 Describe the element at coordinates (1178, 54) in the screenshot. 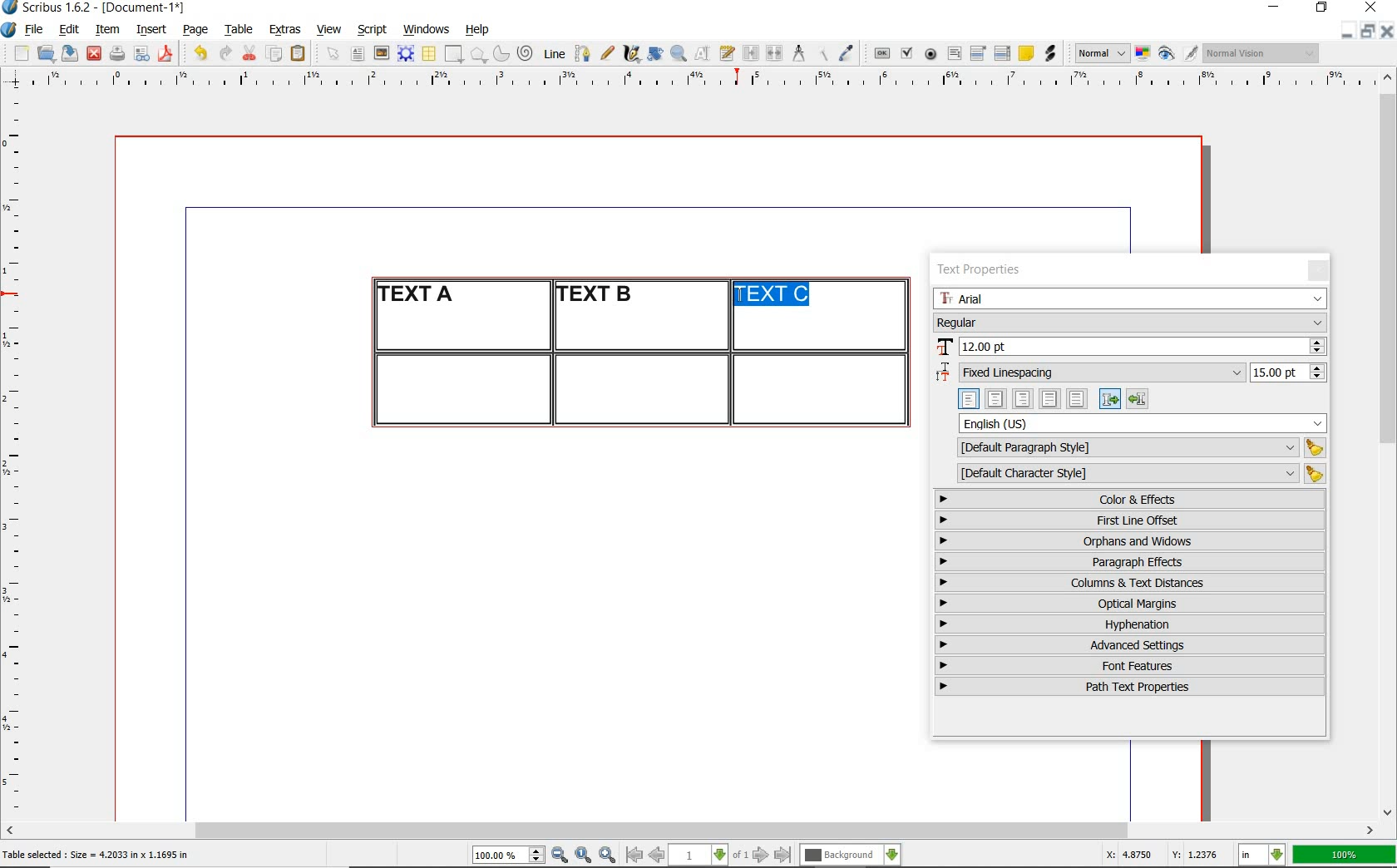

I see `preview mode` at that location.